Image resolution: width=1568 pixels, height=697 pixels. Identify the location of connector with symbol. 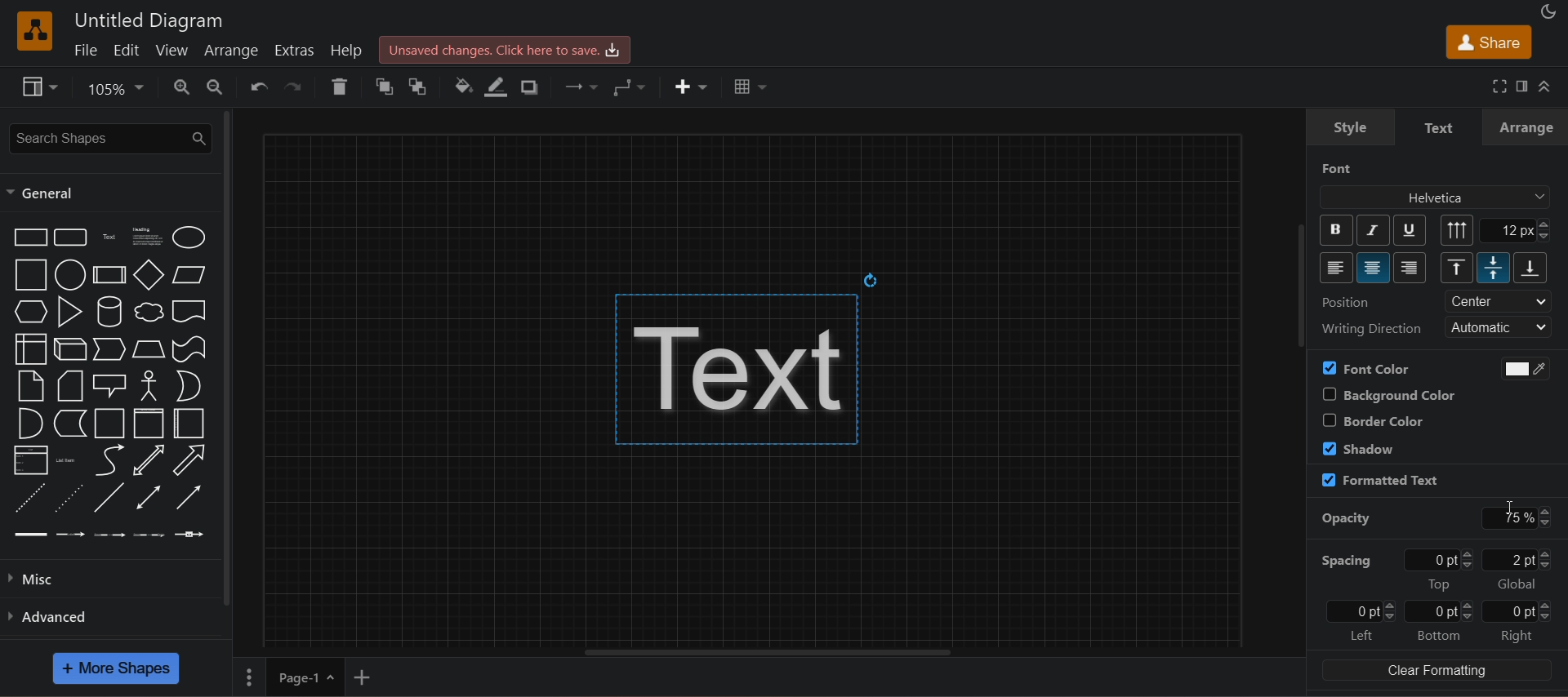
(190, 535).